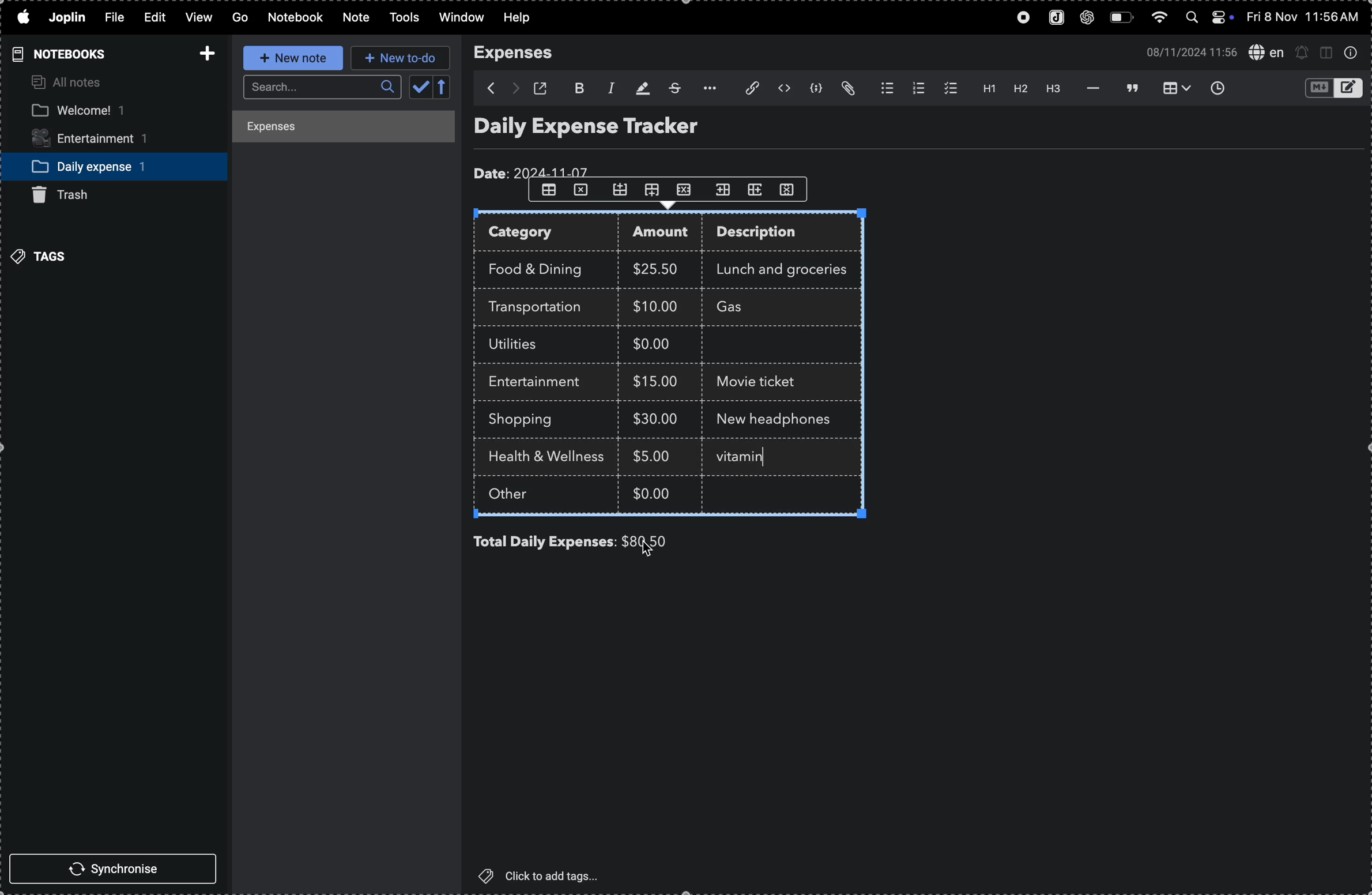 This screenshot has width=1372, height=895. What do you see at coordinates (401, 18) in the screenshot?
I see `tools` at bounding box center [401, 18].